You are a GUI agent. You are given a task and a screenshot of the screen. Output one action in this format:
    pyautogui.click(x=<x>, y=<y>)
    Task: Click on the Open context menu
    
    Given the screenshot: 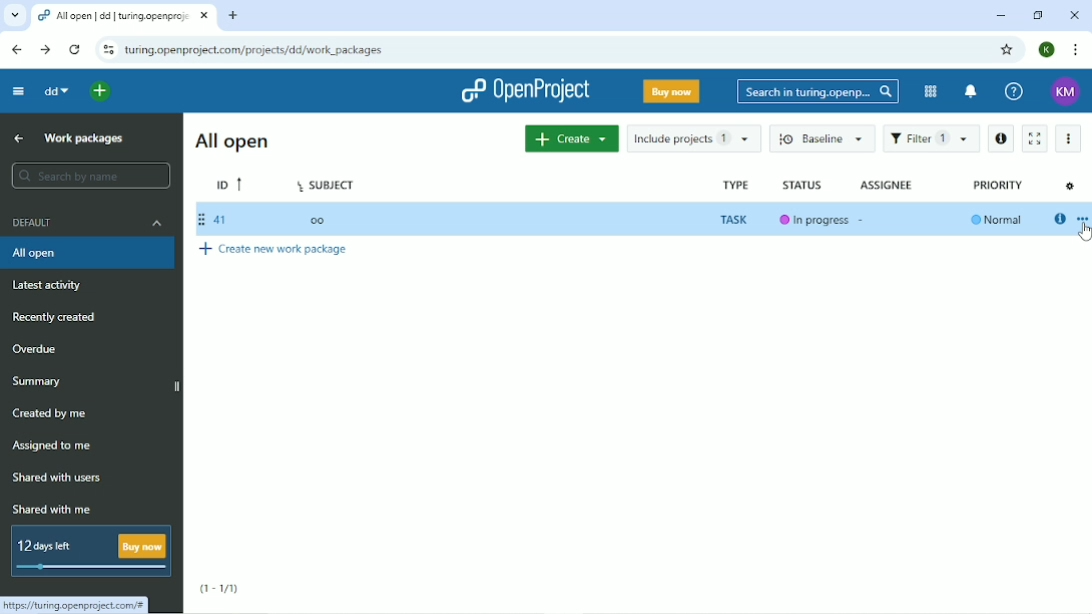 What is the action you would take?
    pyautogui.click(x=1082, y=221)
    